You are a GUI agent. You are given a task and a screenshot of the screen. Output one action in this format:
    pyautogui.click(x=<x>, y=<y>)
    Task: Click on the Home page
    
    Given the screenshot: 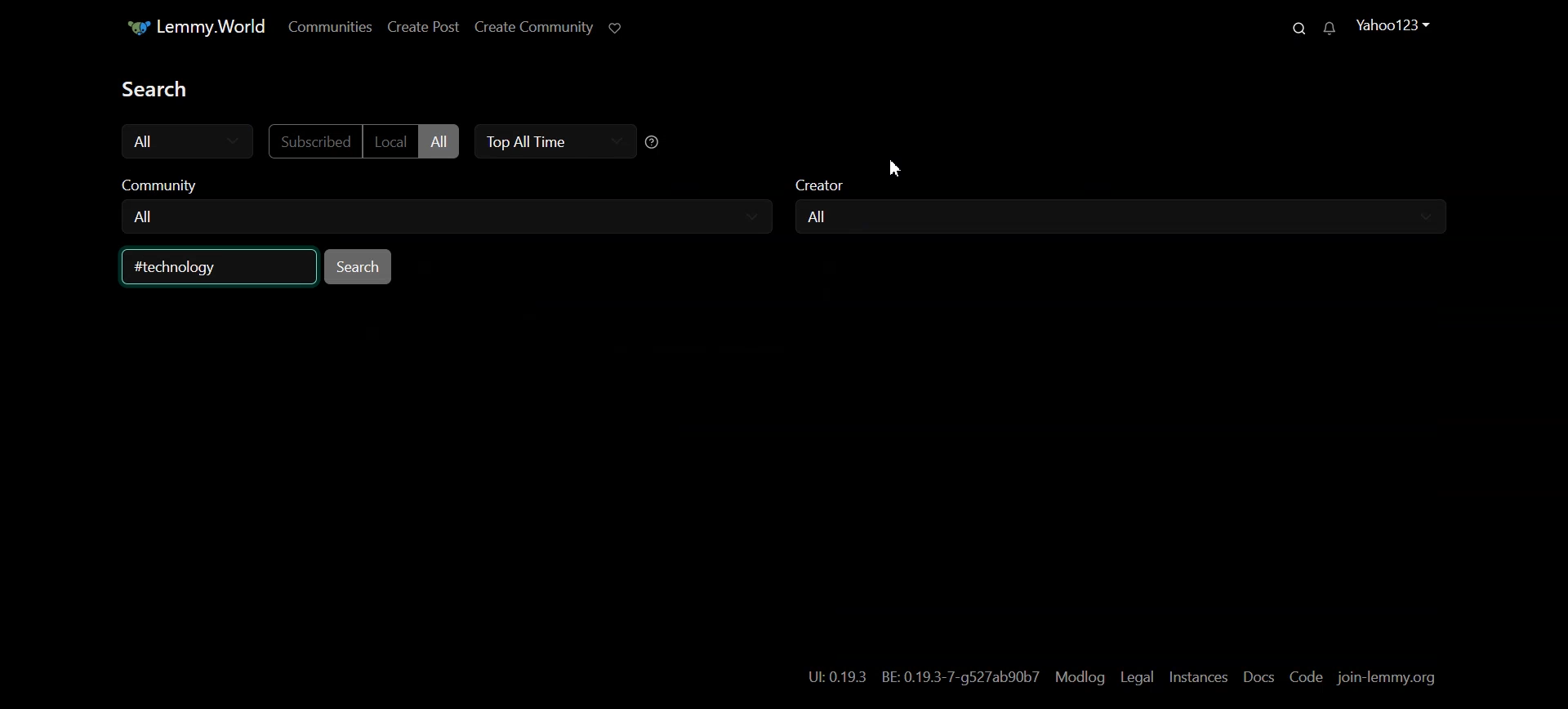 What is the action you would take?
    pyautogui.click(x=188, y=27)
    